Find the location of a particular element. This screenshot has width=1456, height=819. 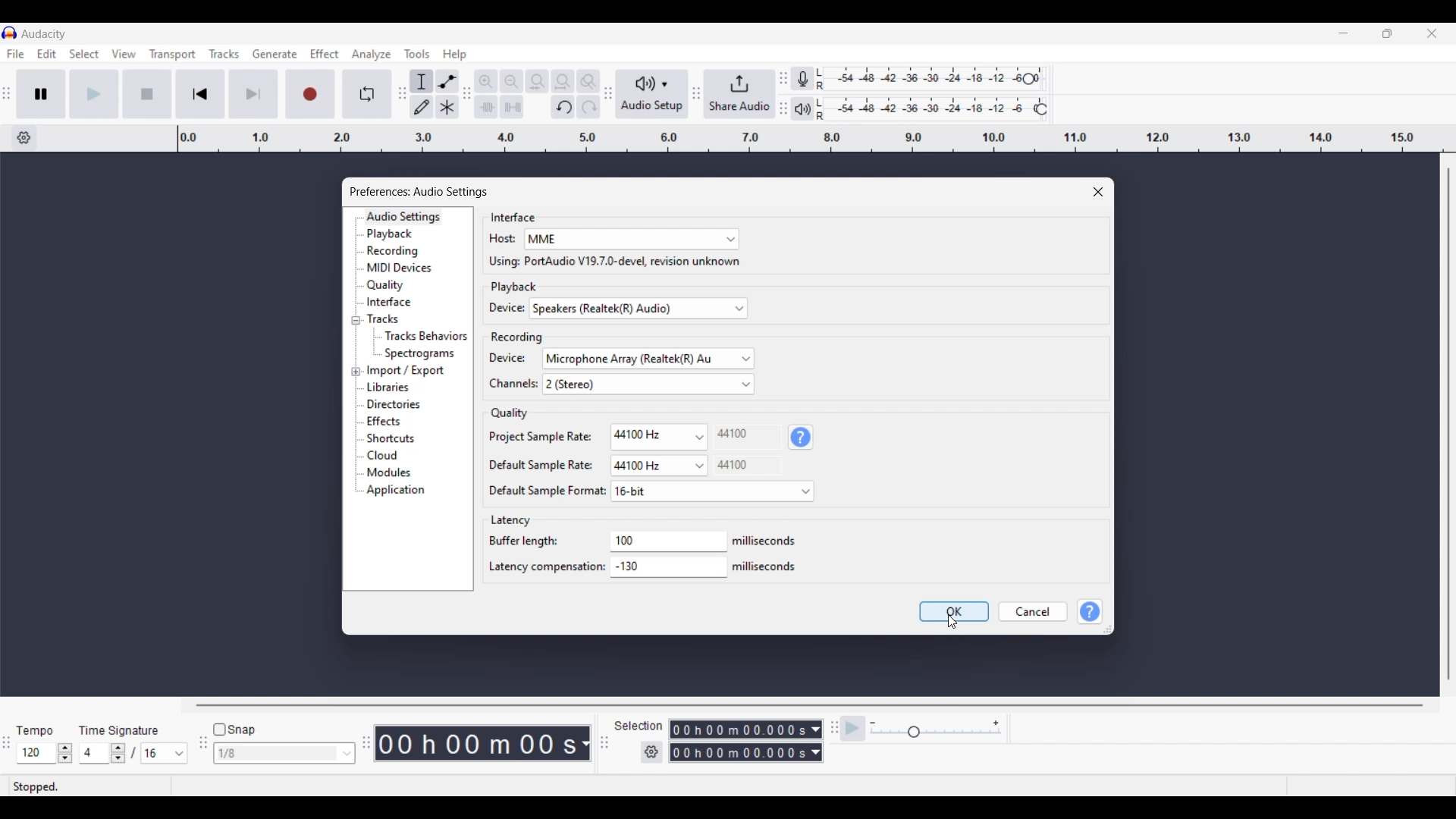

Close interface is located at coordinates (1432, 33).